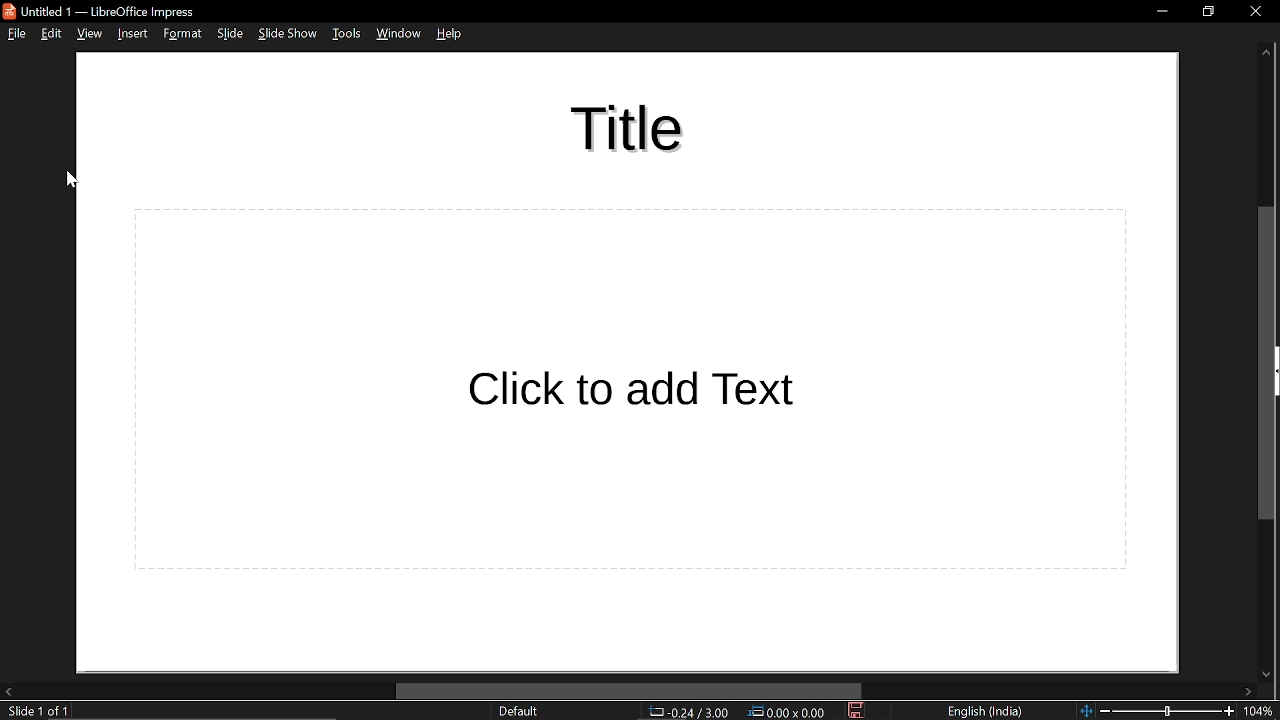 The image size is (1280, 720). I want to click on file, so click(16, 33).